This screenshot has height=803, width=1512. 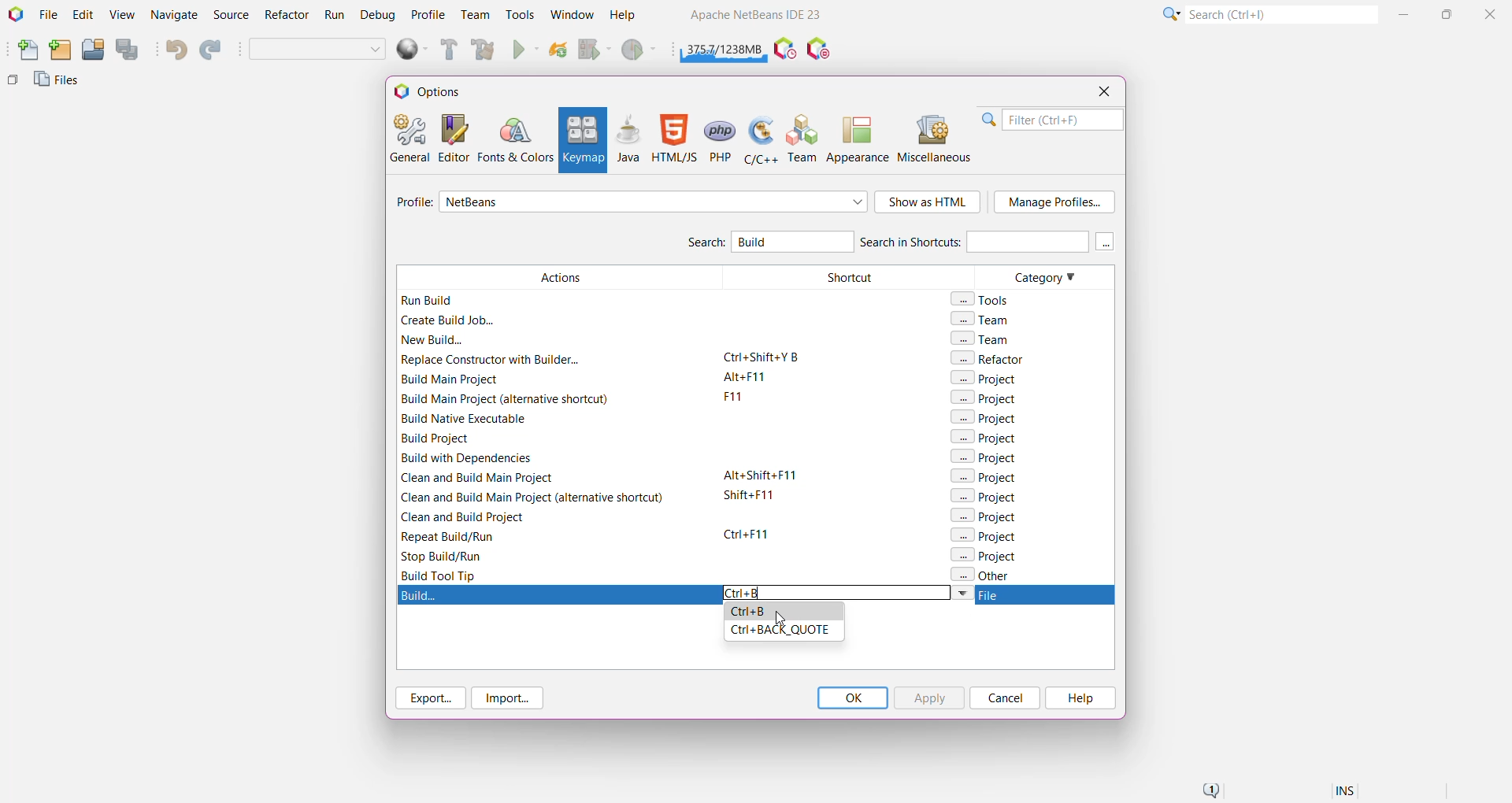 I want to click on Debug Main Project, so click(x=594, y=50).